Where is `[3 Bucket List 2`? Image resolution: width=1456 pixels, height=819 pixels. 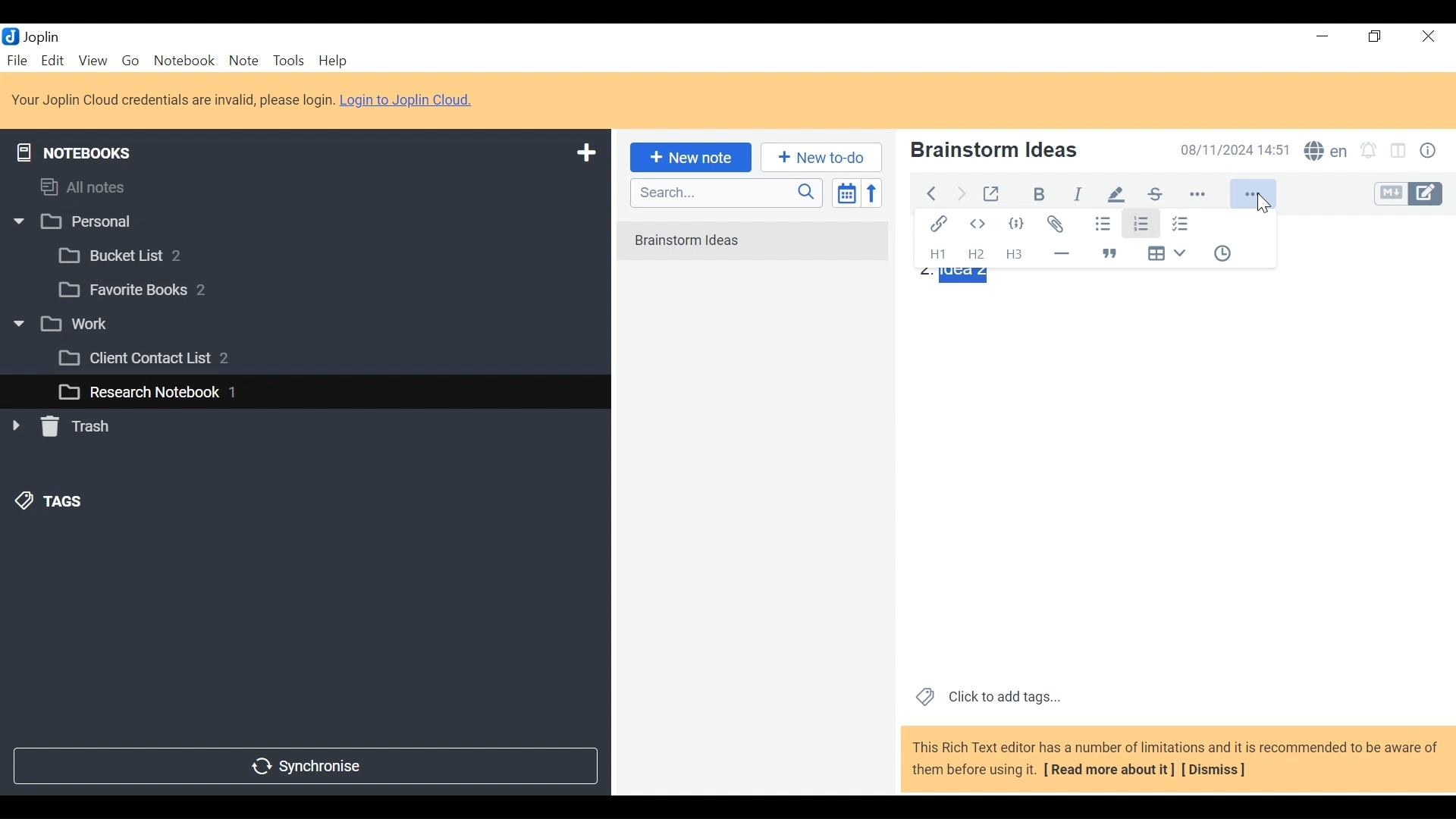 [3 Bucket List 2 is located at coordinates (149, 254).